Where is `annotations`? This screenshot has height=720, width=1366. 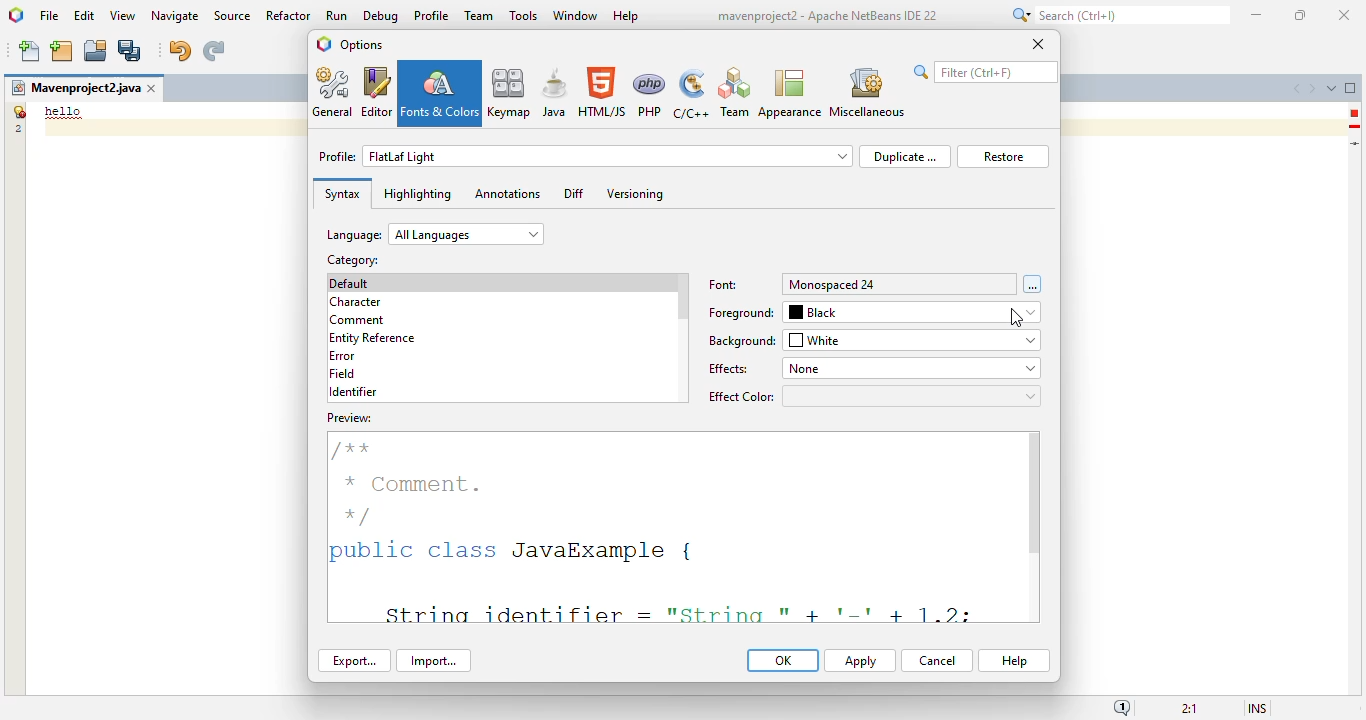 annotations is located at coordinates (507, 193).